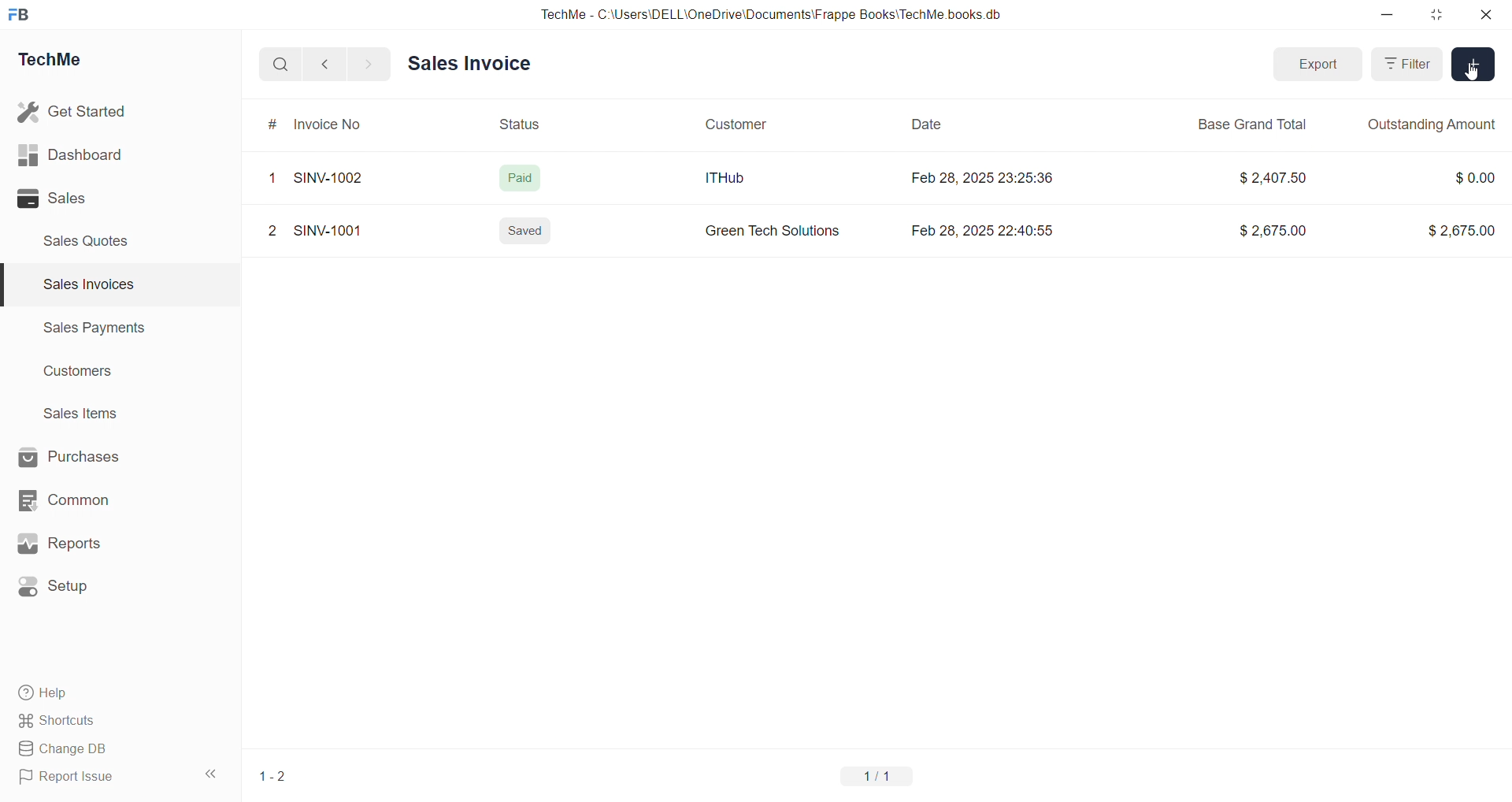  Describe the element at coordinates (1407, 65) in the screenshot. I see `= Filter` at that location.